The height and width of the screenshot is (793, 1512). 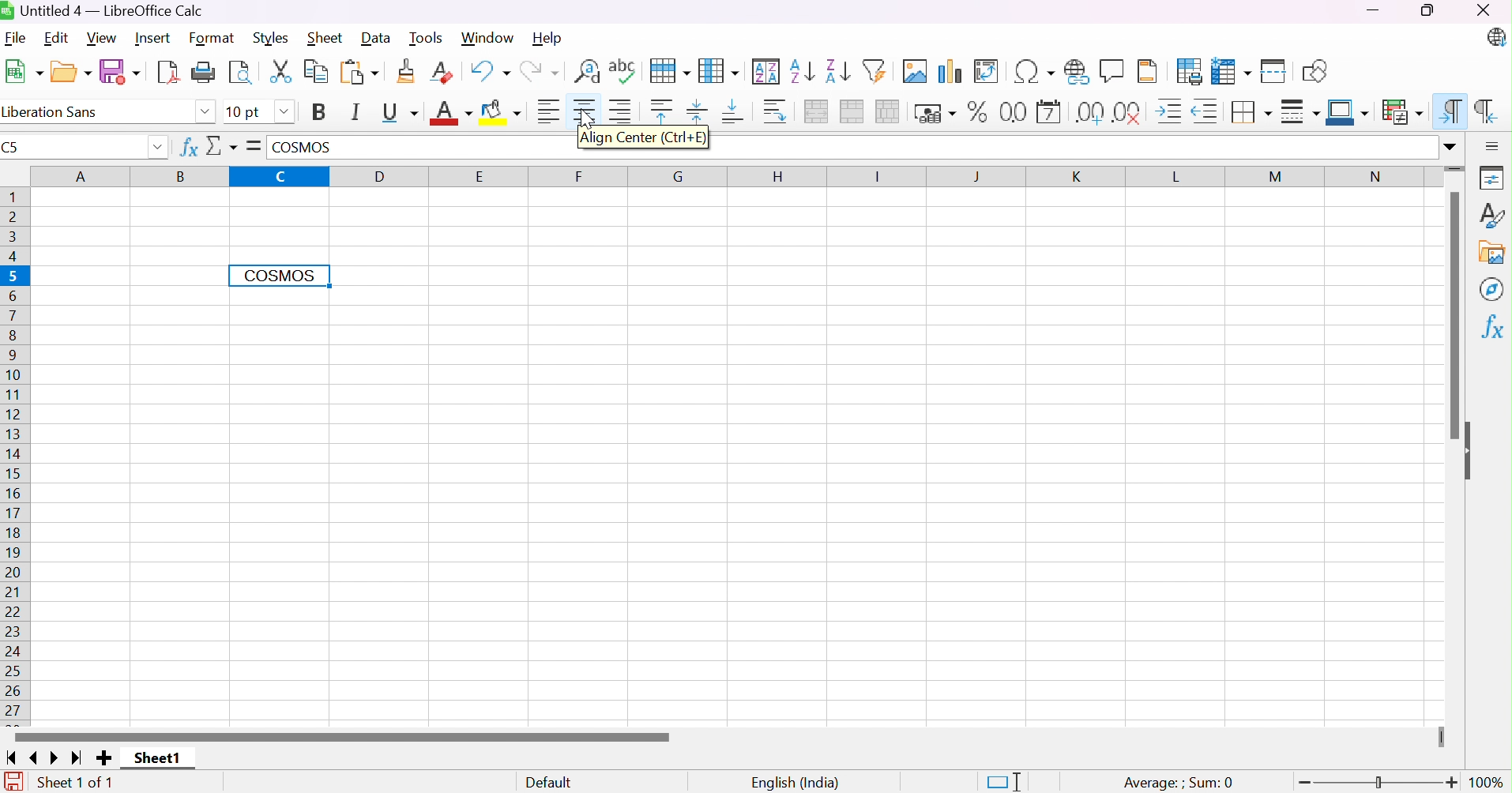 I want to click on Copy, so click(x=316, y=71).